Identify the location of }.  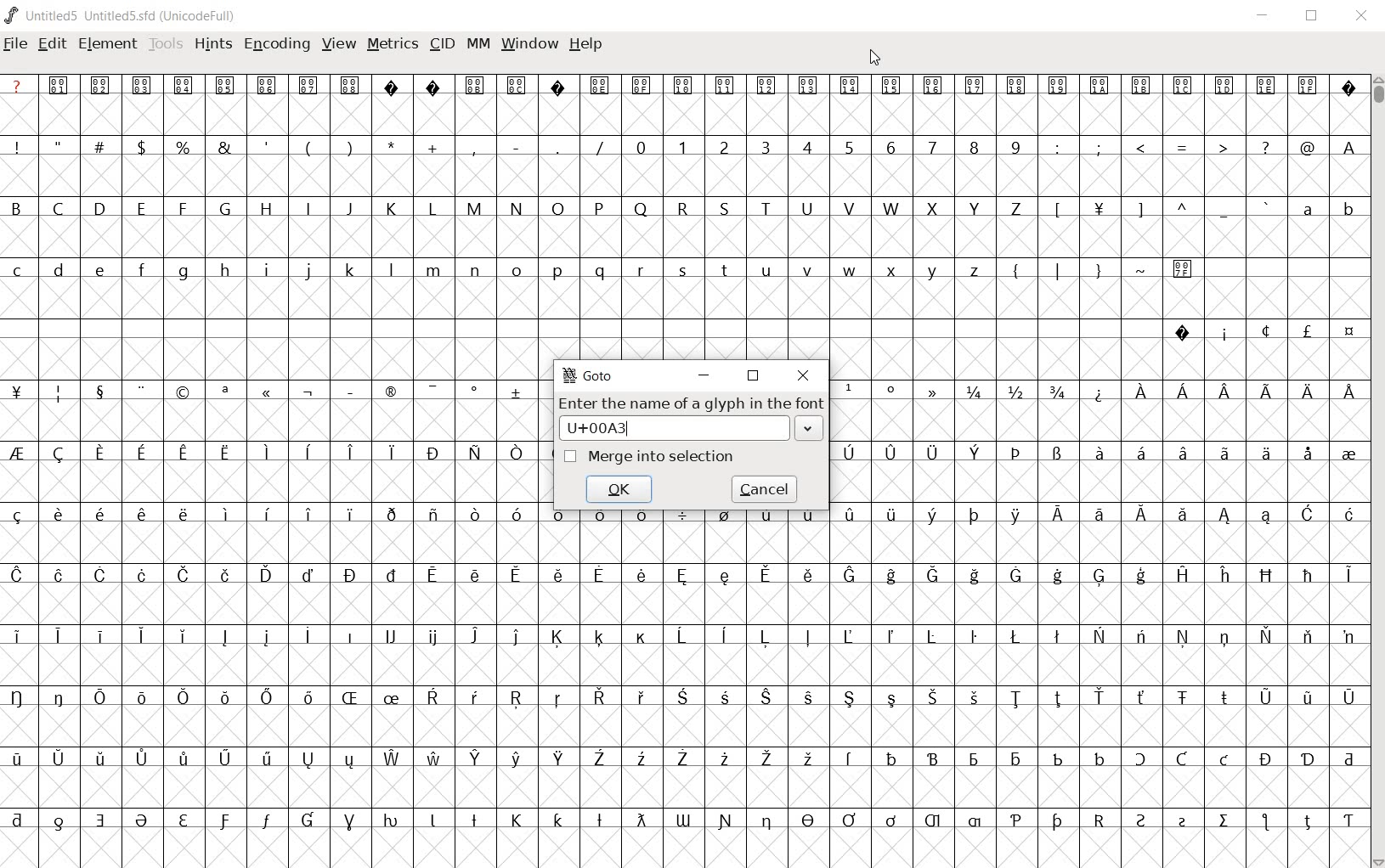
(1097, 268).